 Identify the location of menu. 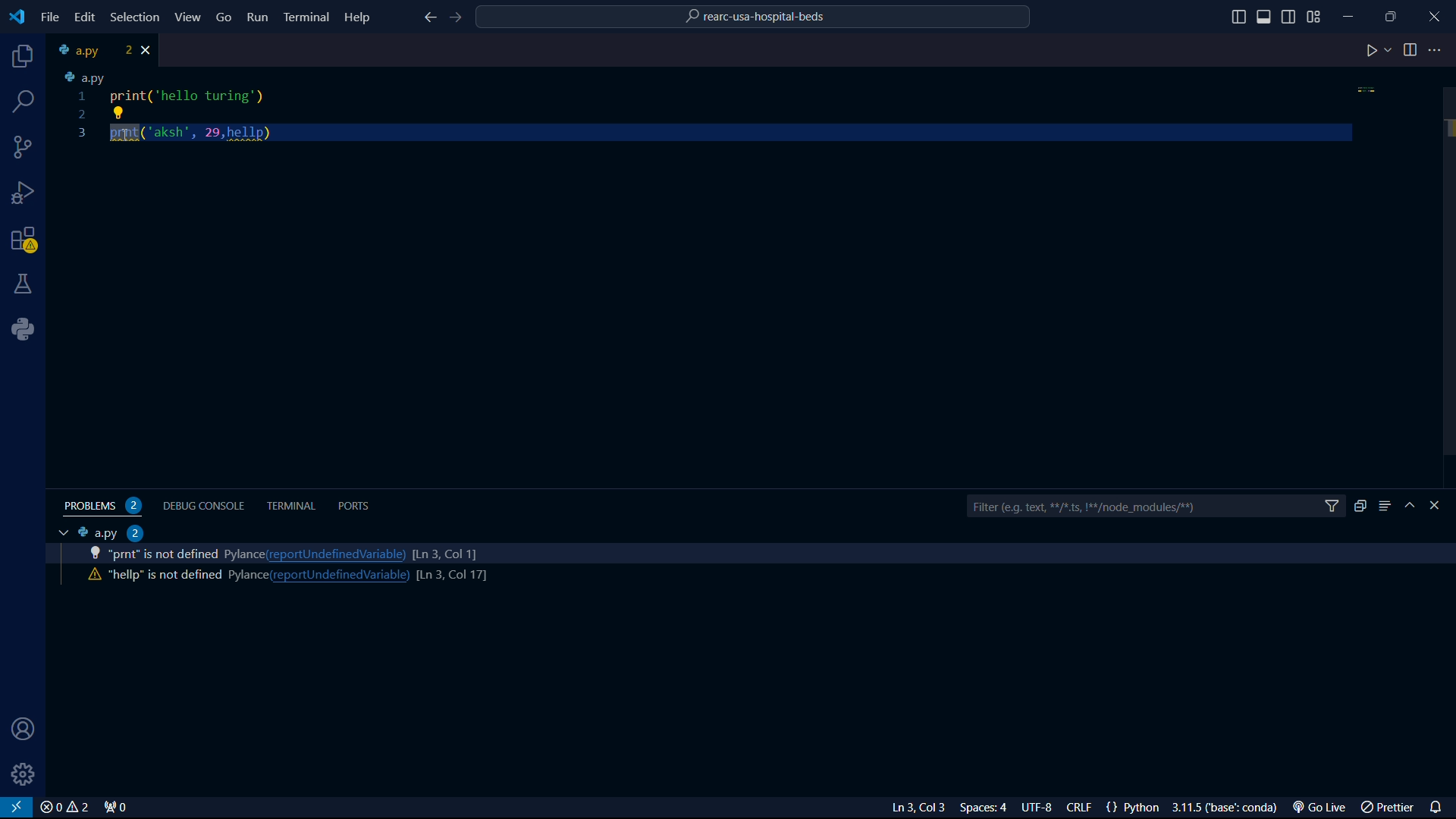
(1385, 506).